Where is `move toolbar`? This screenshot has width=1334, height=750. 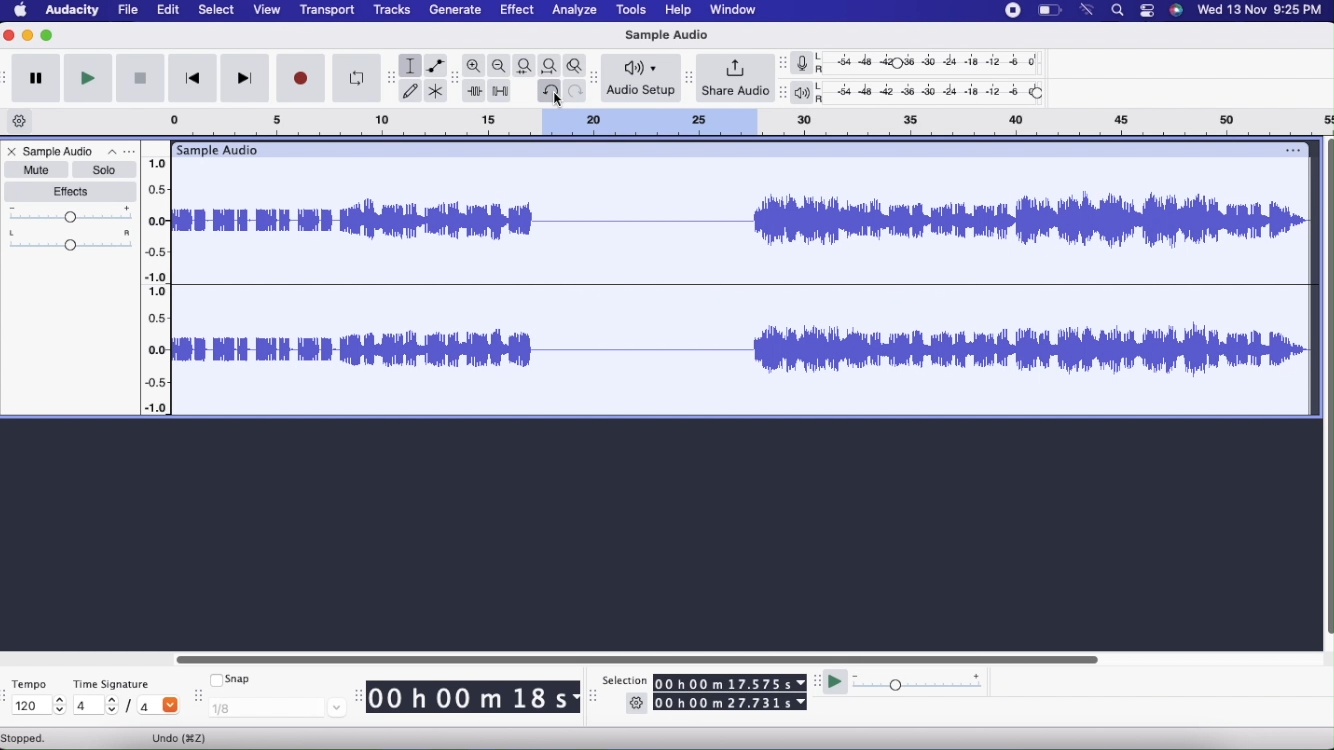
move toolbar is located at coordinates (356, 692).